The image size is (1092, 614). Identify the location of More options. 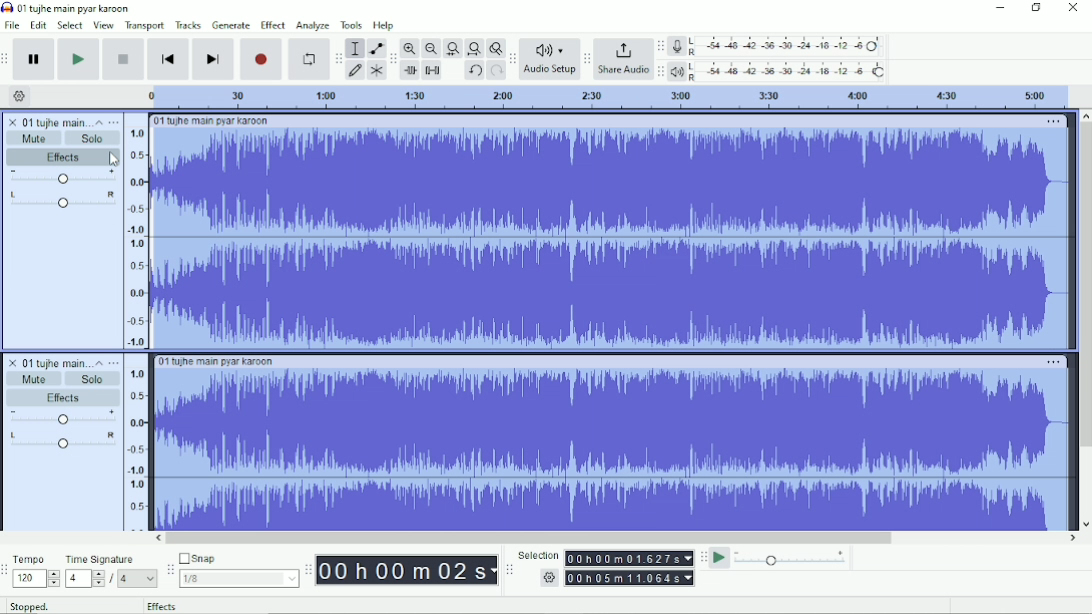
(1053, 361).